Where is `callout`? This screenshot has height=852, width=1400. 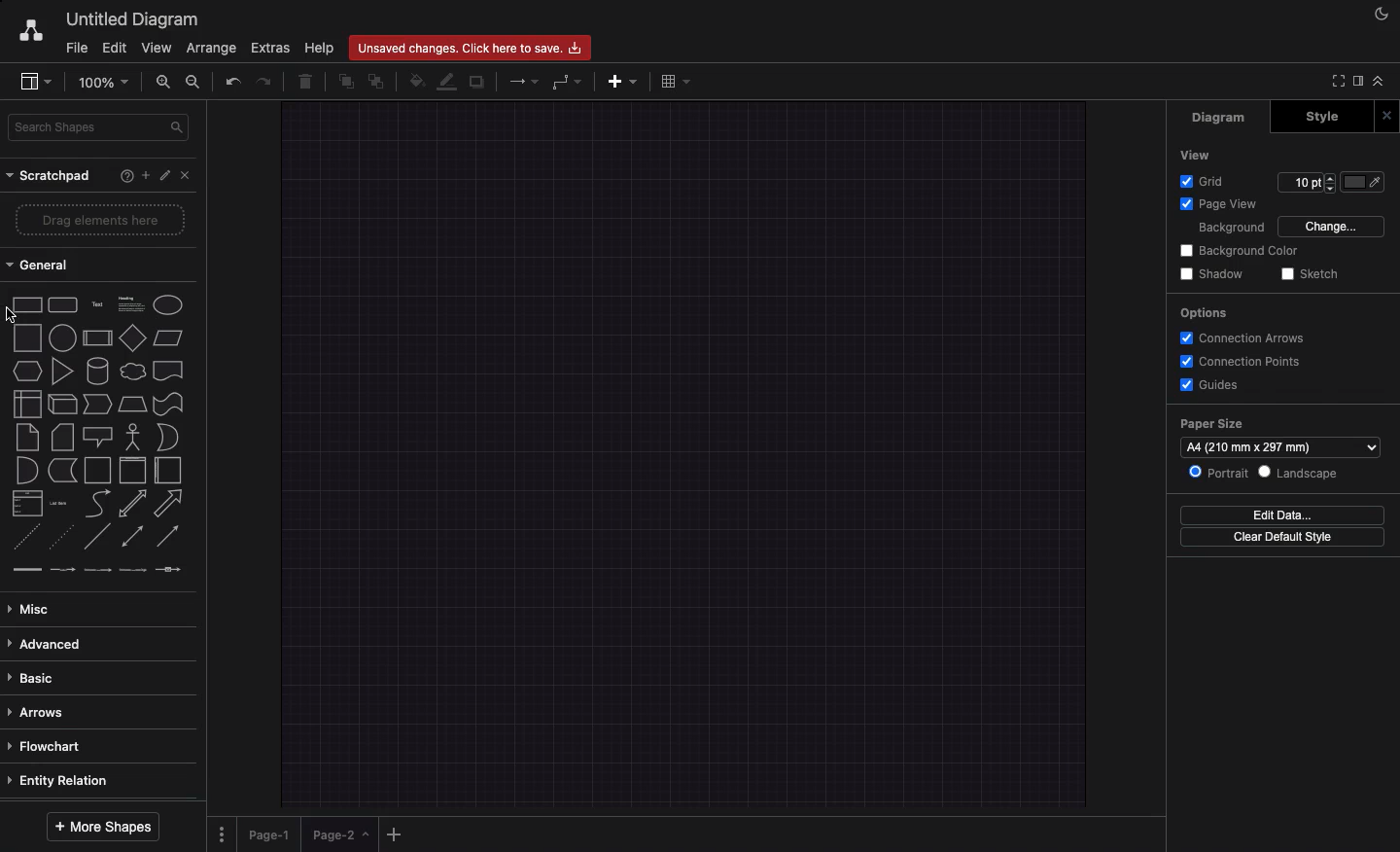 callout is located at coordinates (96, 437).